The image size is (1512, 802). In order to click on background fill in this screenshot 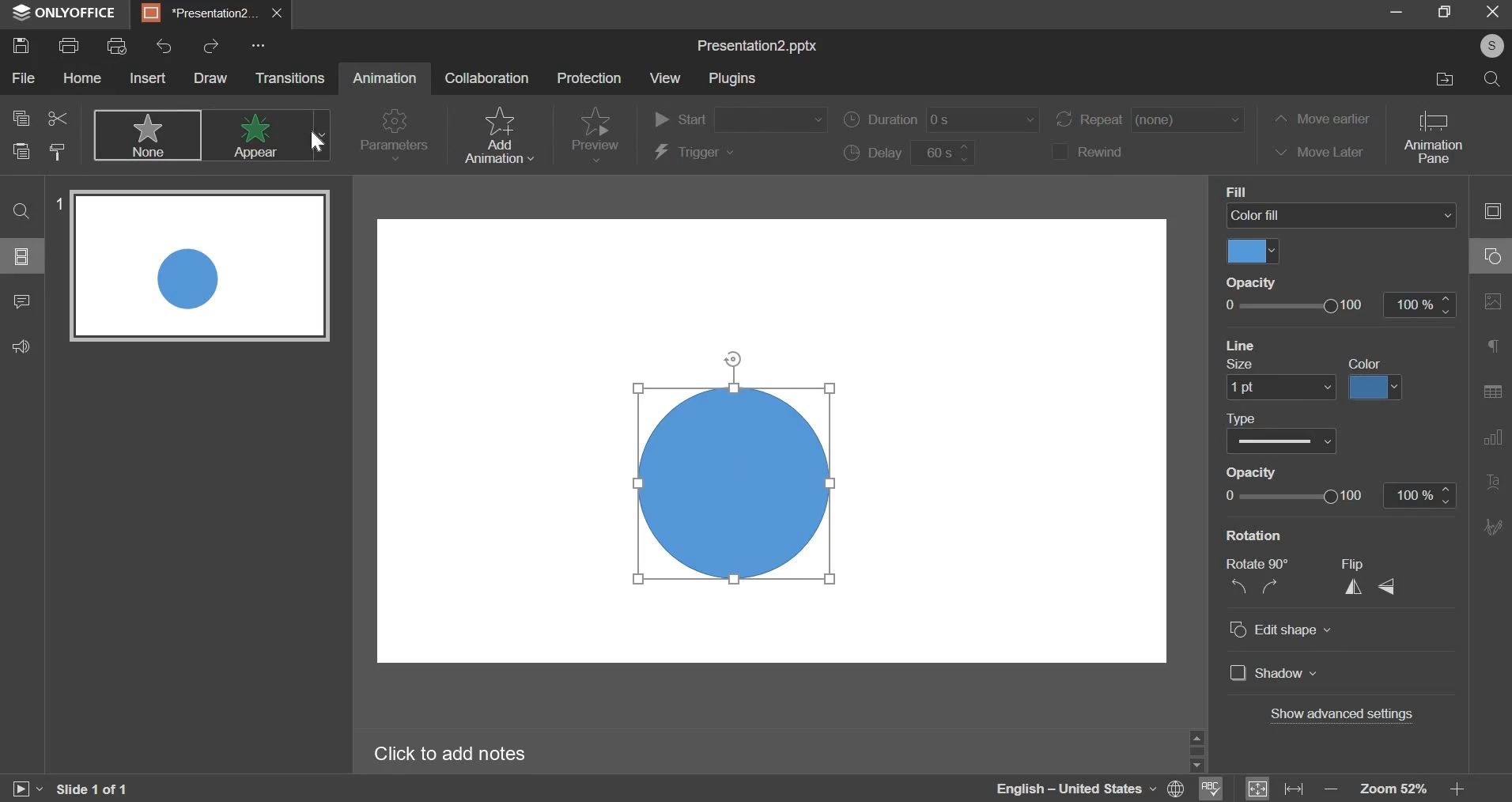, I will do `click(1339, 216)`.